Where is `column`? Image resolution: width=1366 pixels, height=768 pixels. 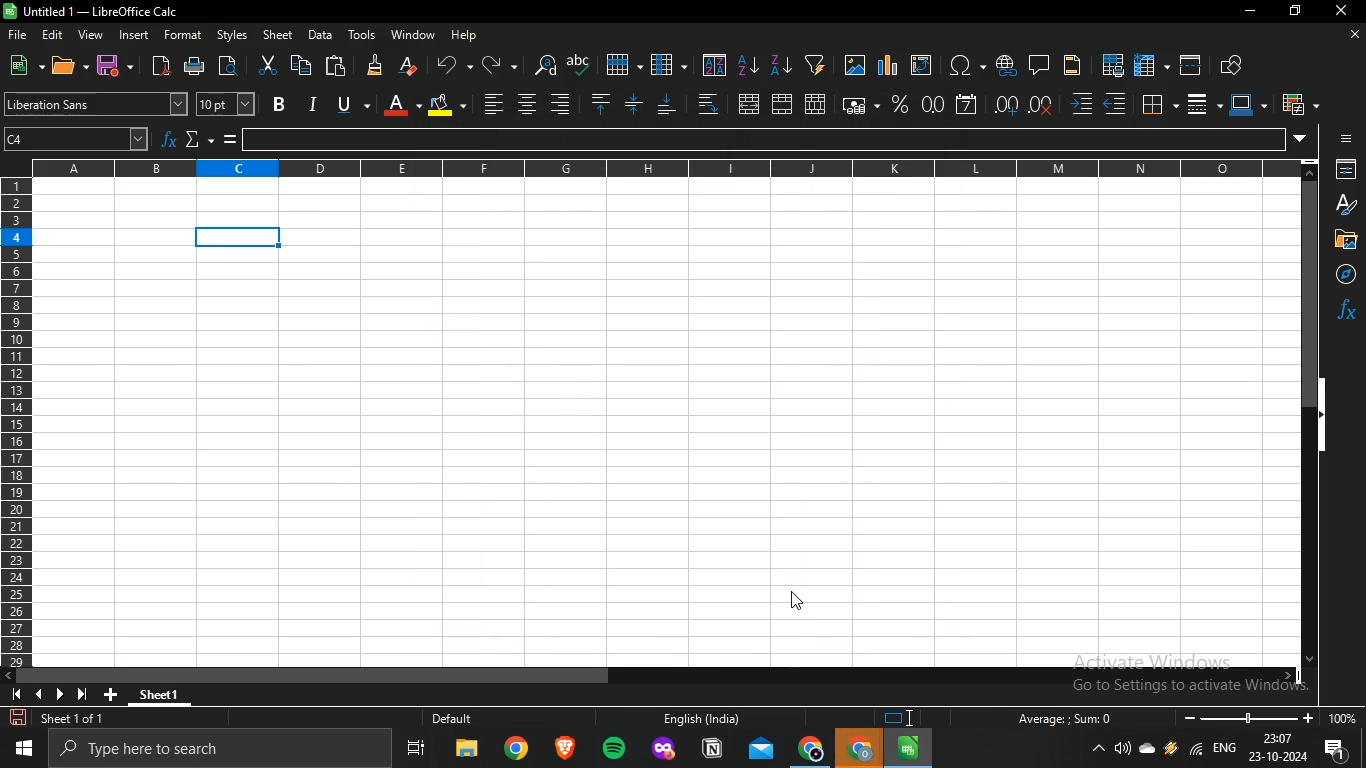
column is located at coordinates (671, 169).